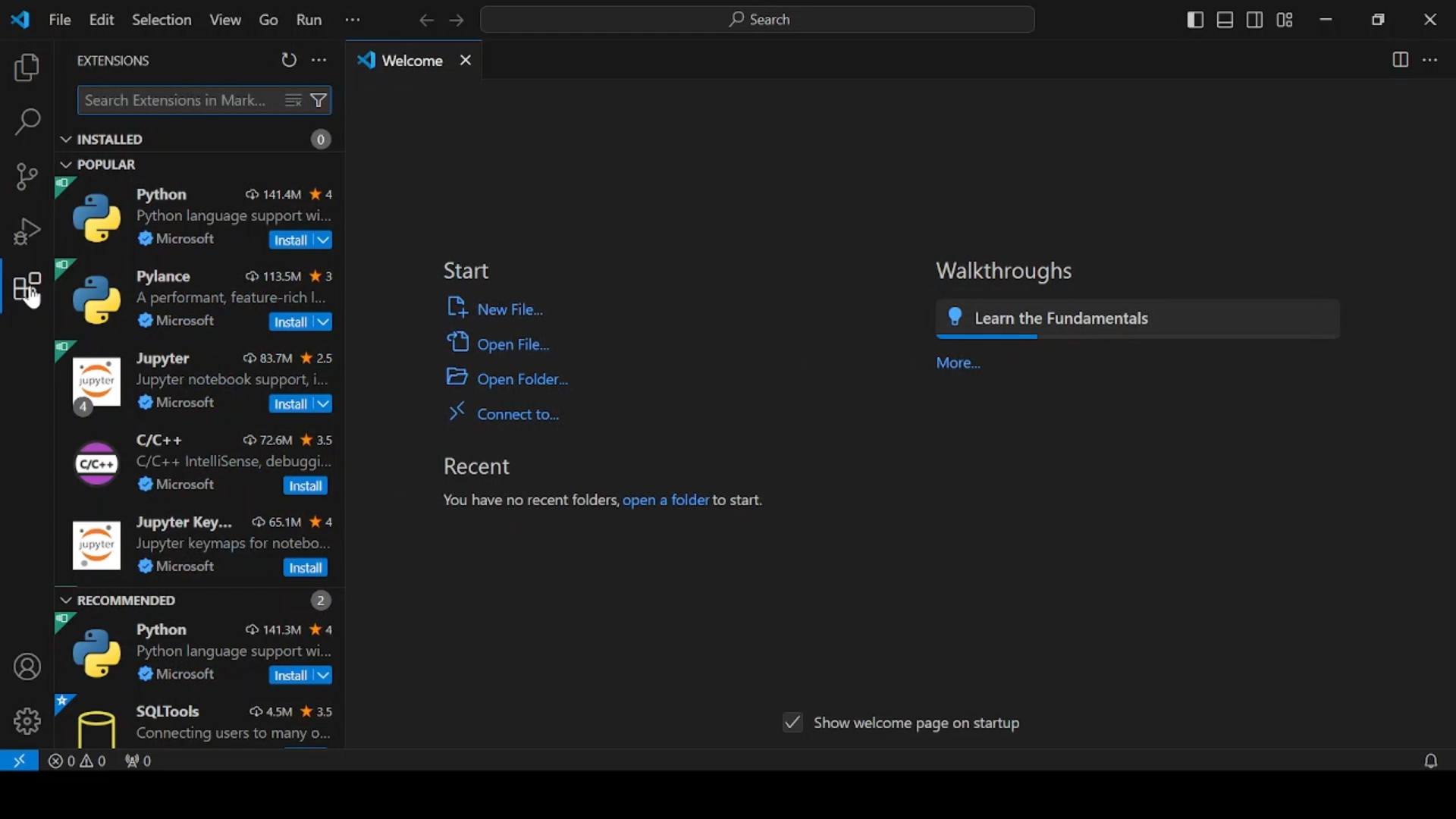 Image resolution: width=1456 pixels, height=819 pixels. Describe the element at coordinates (905, 724) in the screenshot. I see `show welcome page on startup` at that location.